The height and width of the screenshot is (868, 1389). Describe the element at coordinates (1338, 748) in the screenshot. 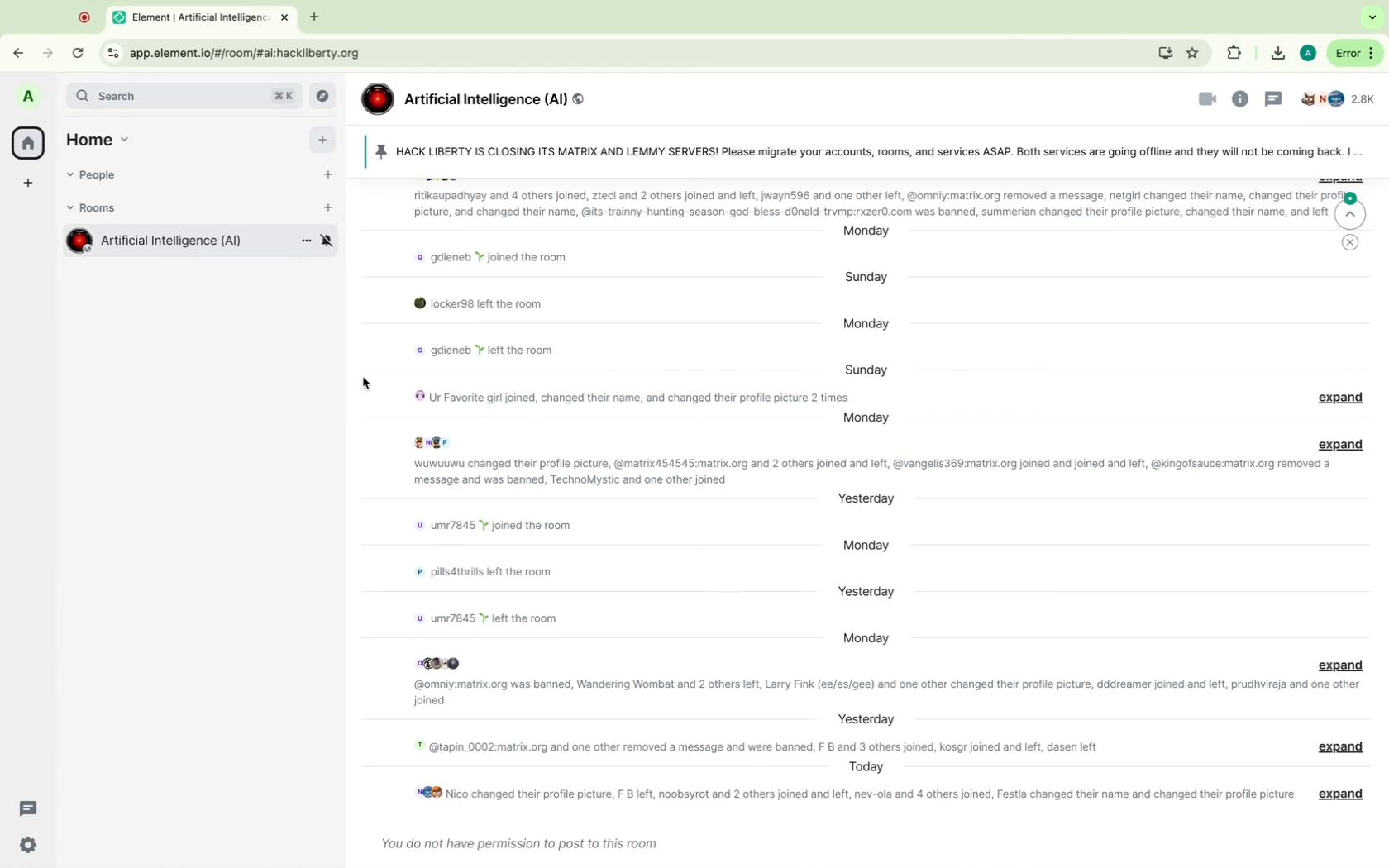

I see `message` at that location.